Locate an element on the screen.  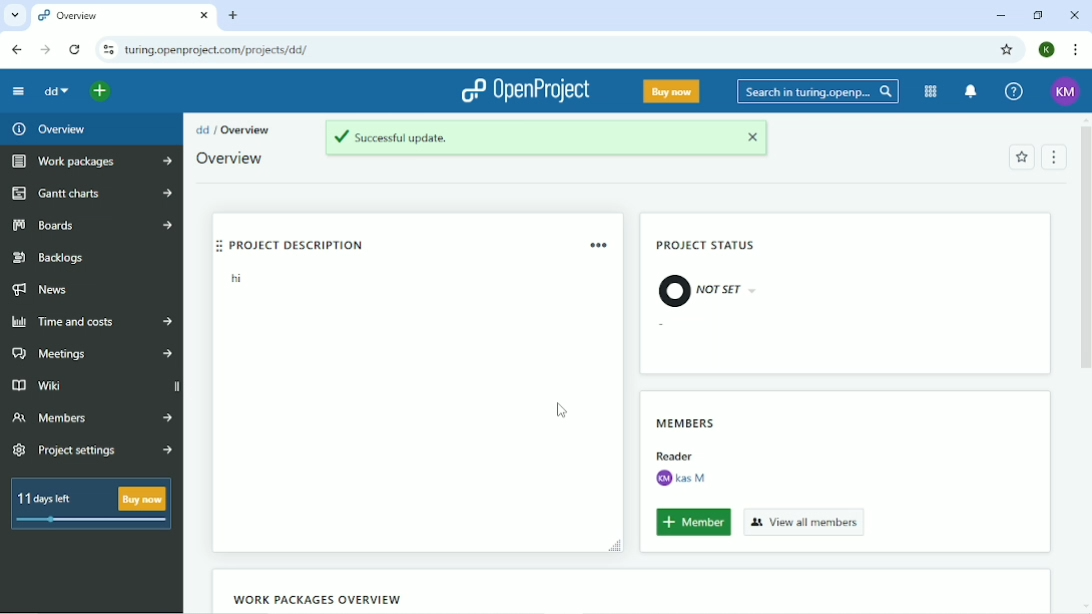
Customize and control google chrome is located at coordinates (1074, 49).